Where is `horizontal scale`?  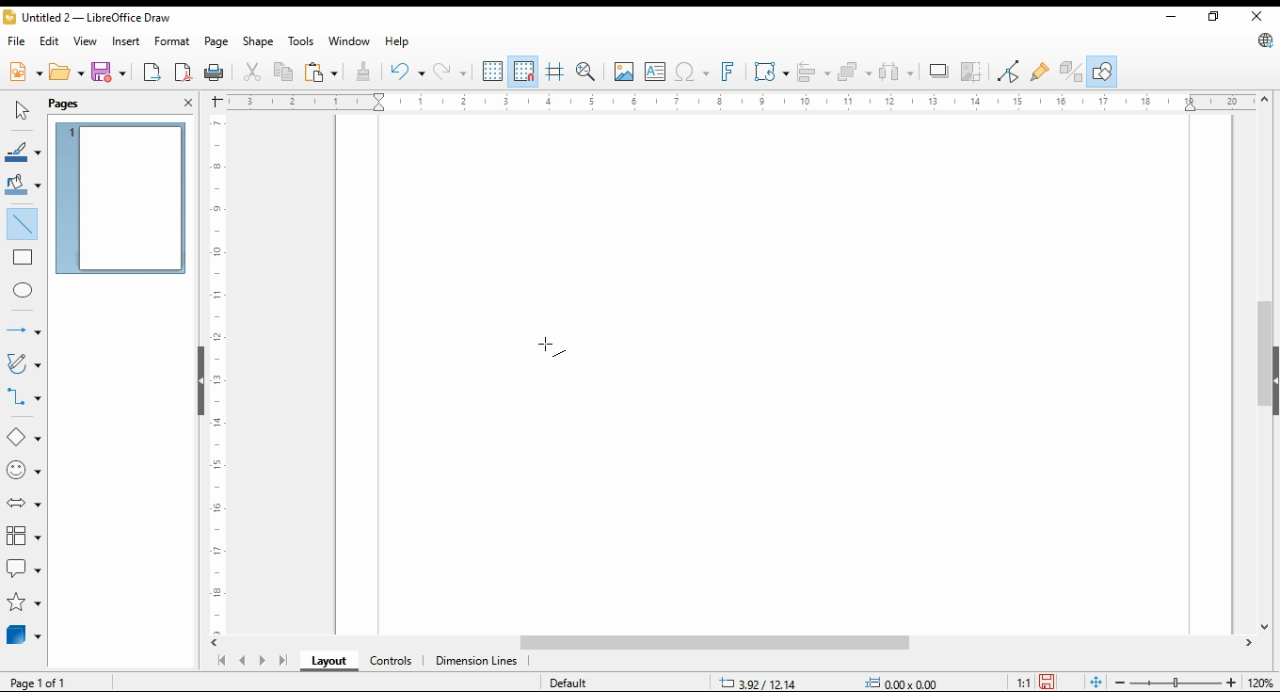 horizontal scale is located at coordinates (739, 102).